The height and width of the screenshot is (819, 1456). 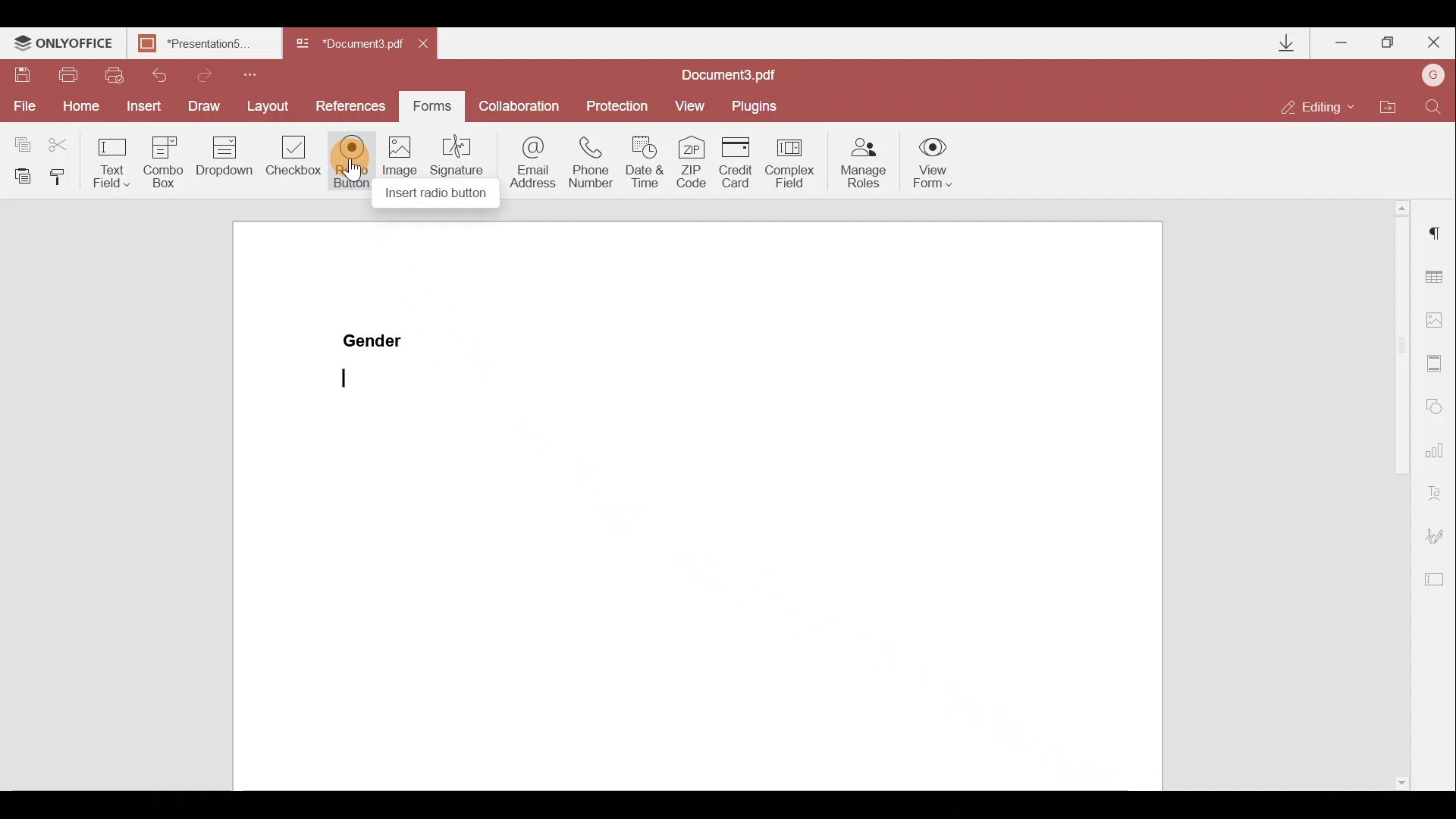 What do you see at coordinates (1438, 583) in the screenshot?
I see `Form settings` at bounding box center [1438, 583].